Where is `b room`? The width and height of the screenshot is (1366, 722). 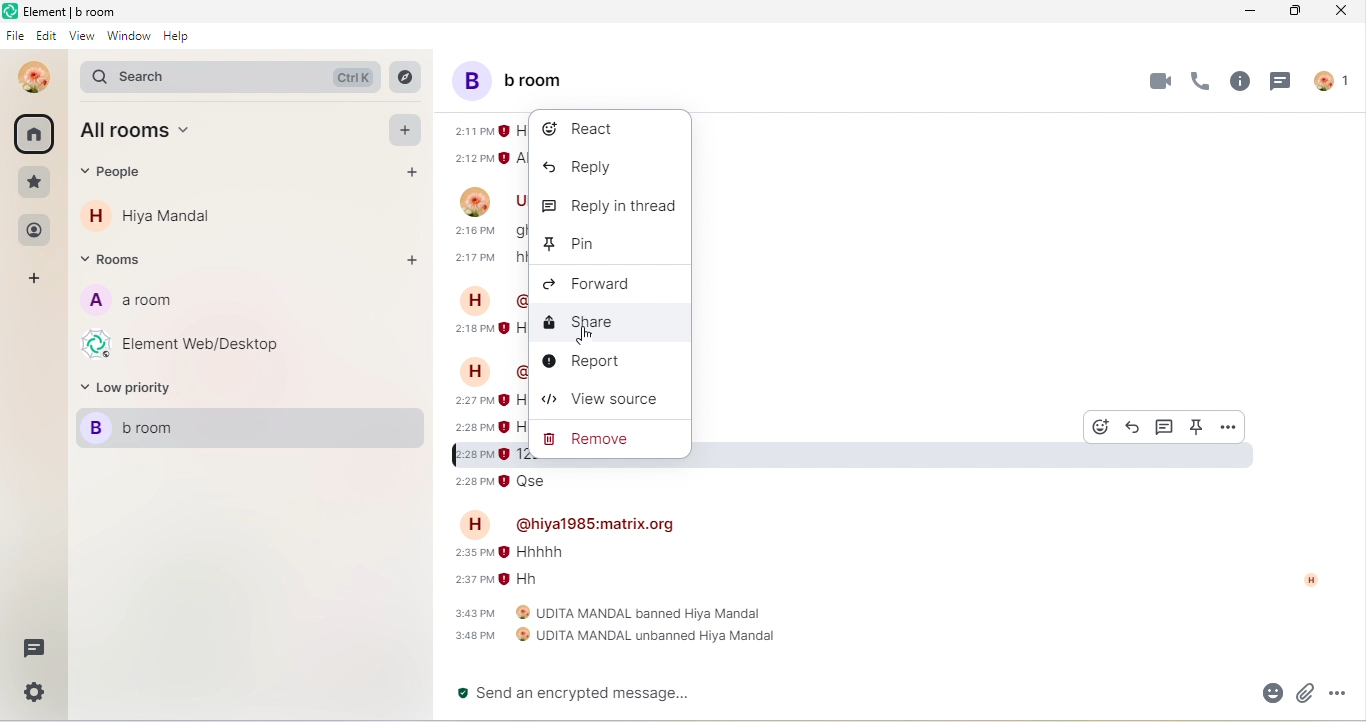
b room is located at coordinates (246, 428).